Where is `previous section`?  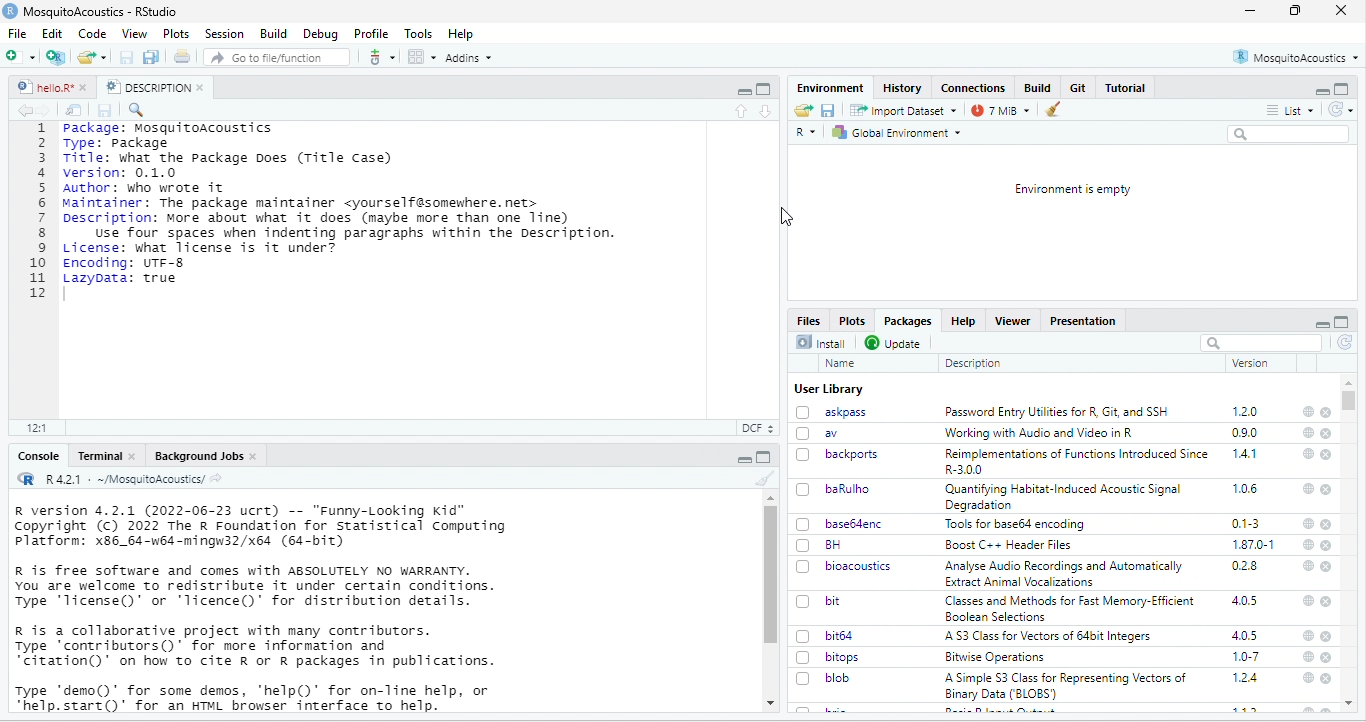
previous section is located at coordinates (740, 112).